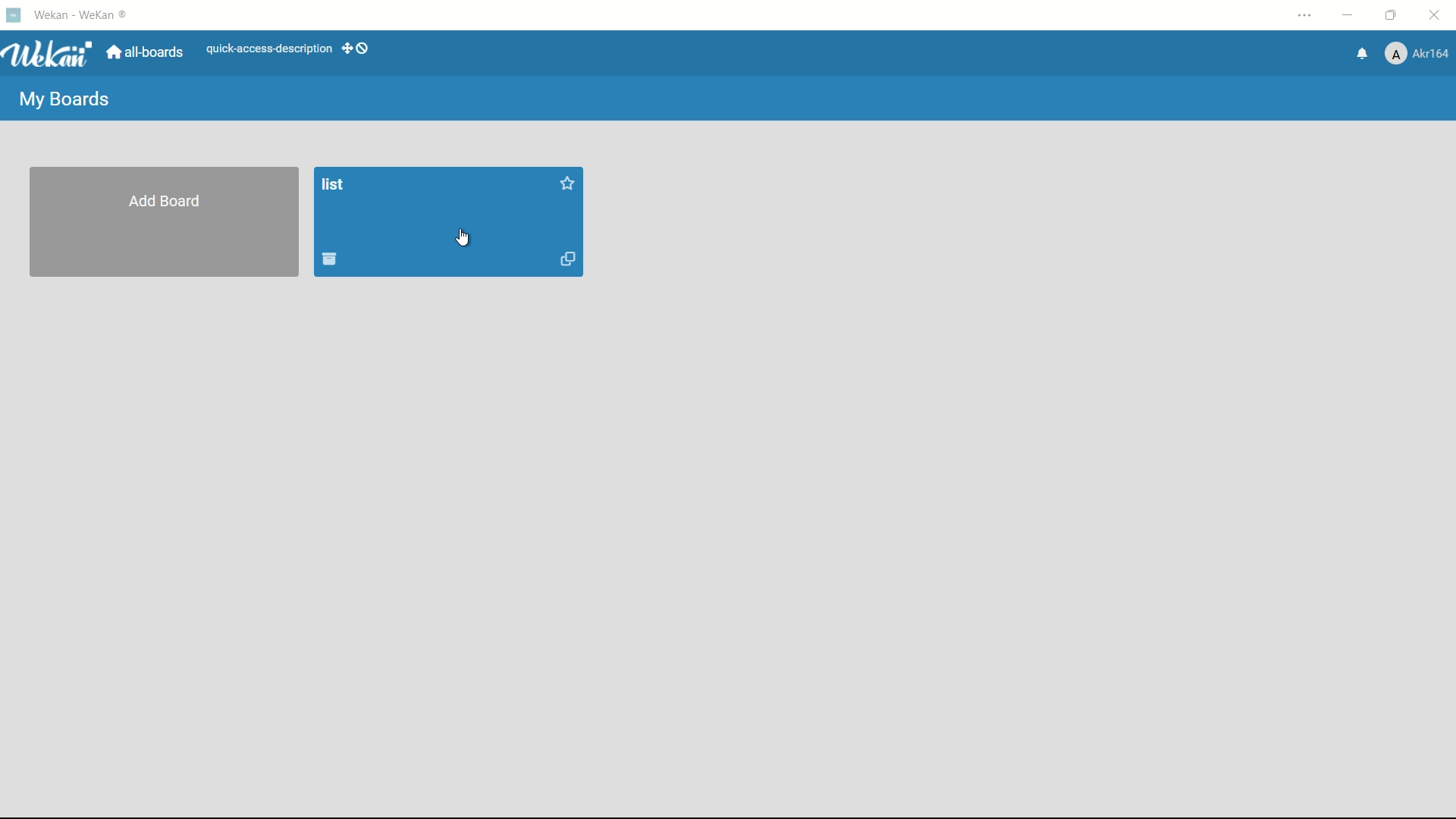 This screenshot has width=1456, height=819. What do you see at coordinates (62, 99) in the screenshot?
I see `my boards` at bounding box center [62, 99].